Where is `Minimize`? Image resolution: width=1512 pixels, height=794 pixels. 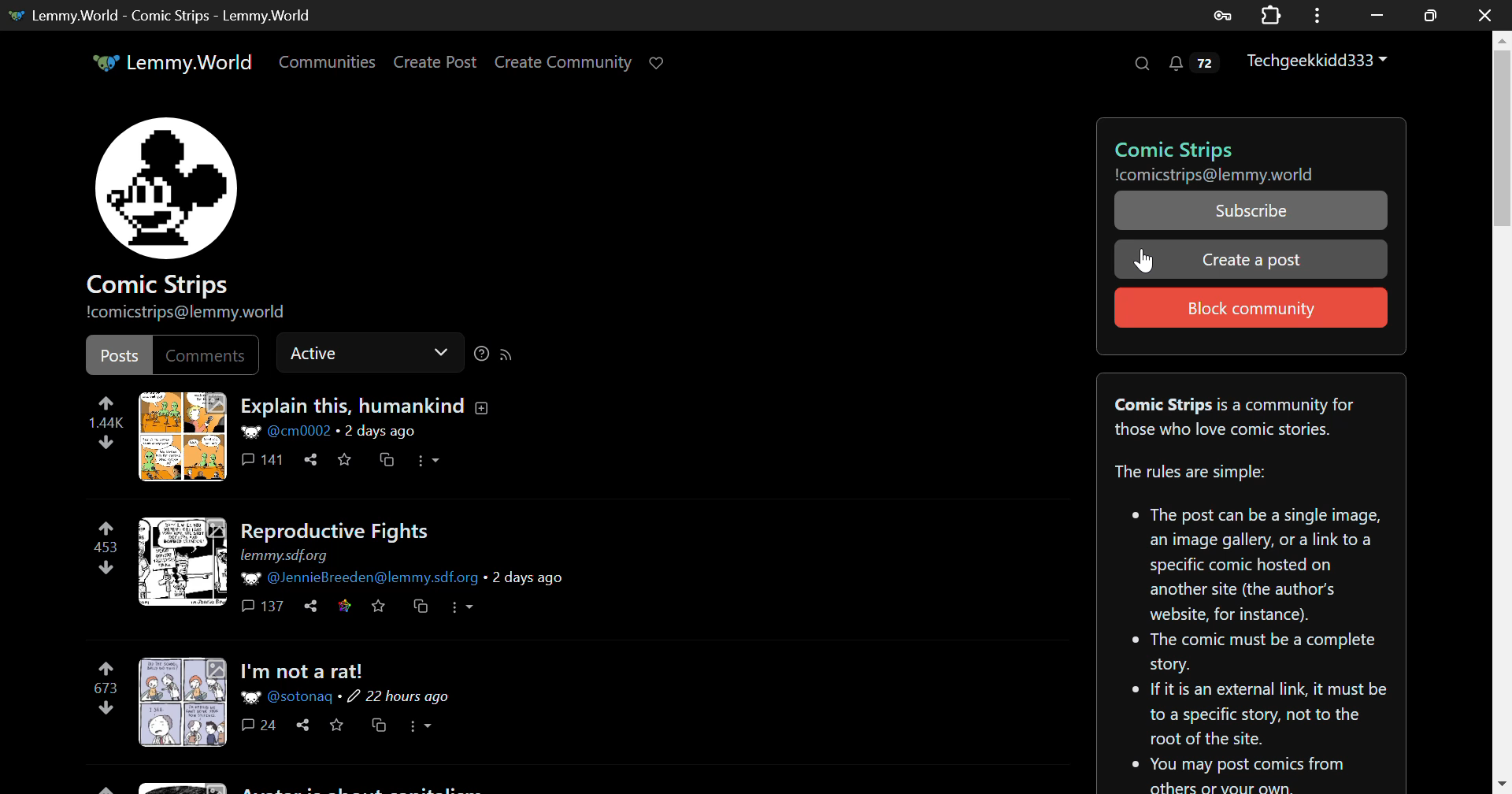 Minimize is located at coordinates (1433, 15).